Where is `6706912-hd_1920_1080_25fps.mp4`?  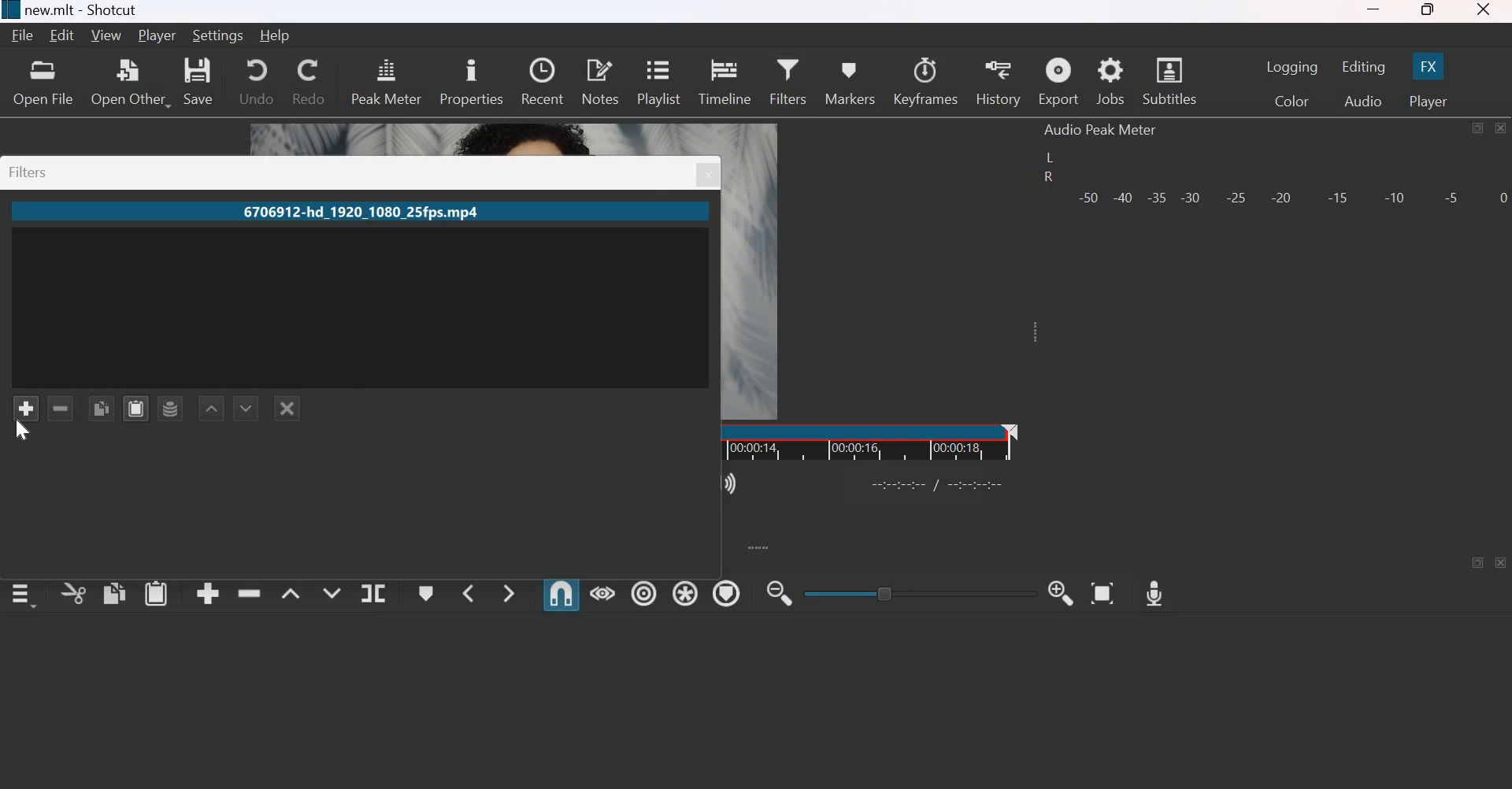
6706912-hd_1920_1080_25fps.mp4 is located at coordinates (358, 213).